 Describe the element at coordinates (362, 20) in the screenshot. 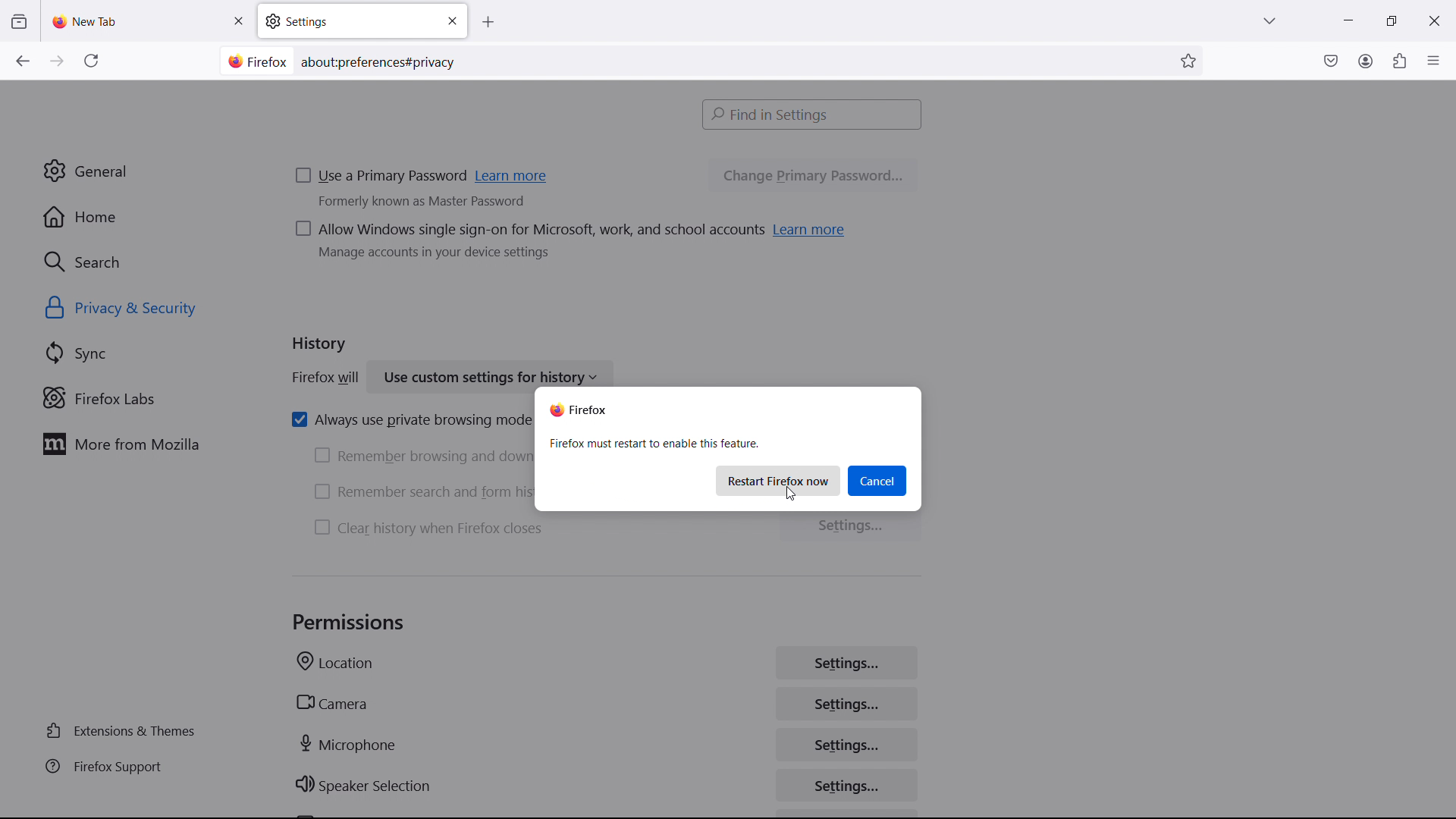

I see `settings tab` at that location.